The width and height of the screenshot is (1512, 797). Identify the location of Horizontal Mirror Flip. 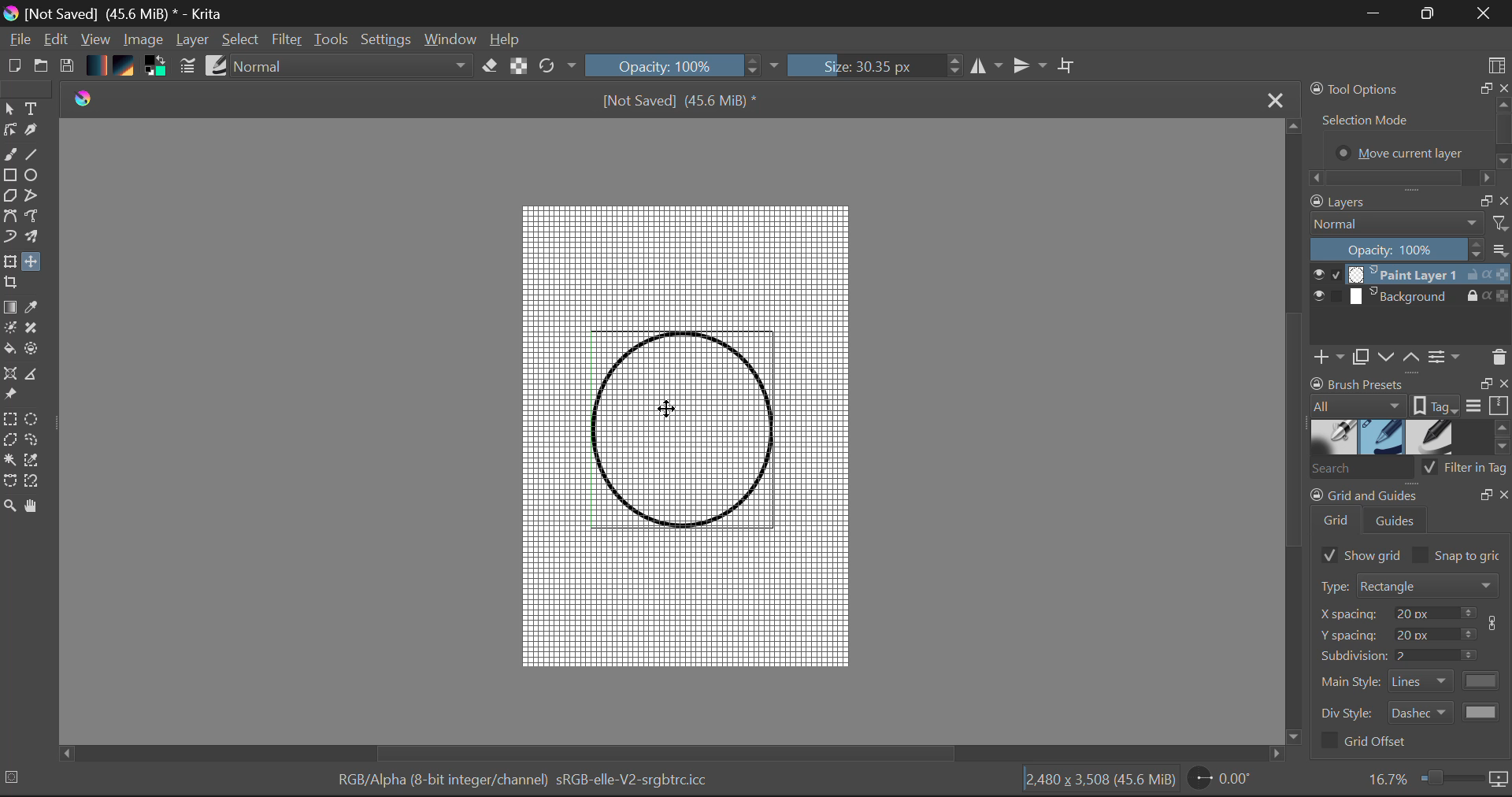
(1032, 65).